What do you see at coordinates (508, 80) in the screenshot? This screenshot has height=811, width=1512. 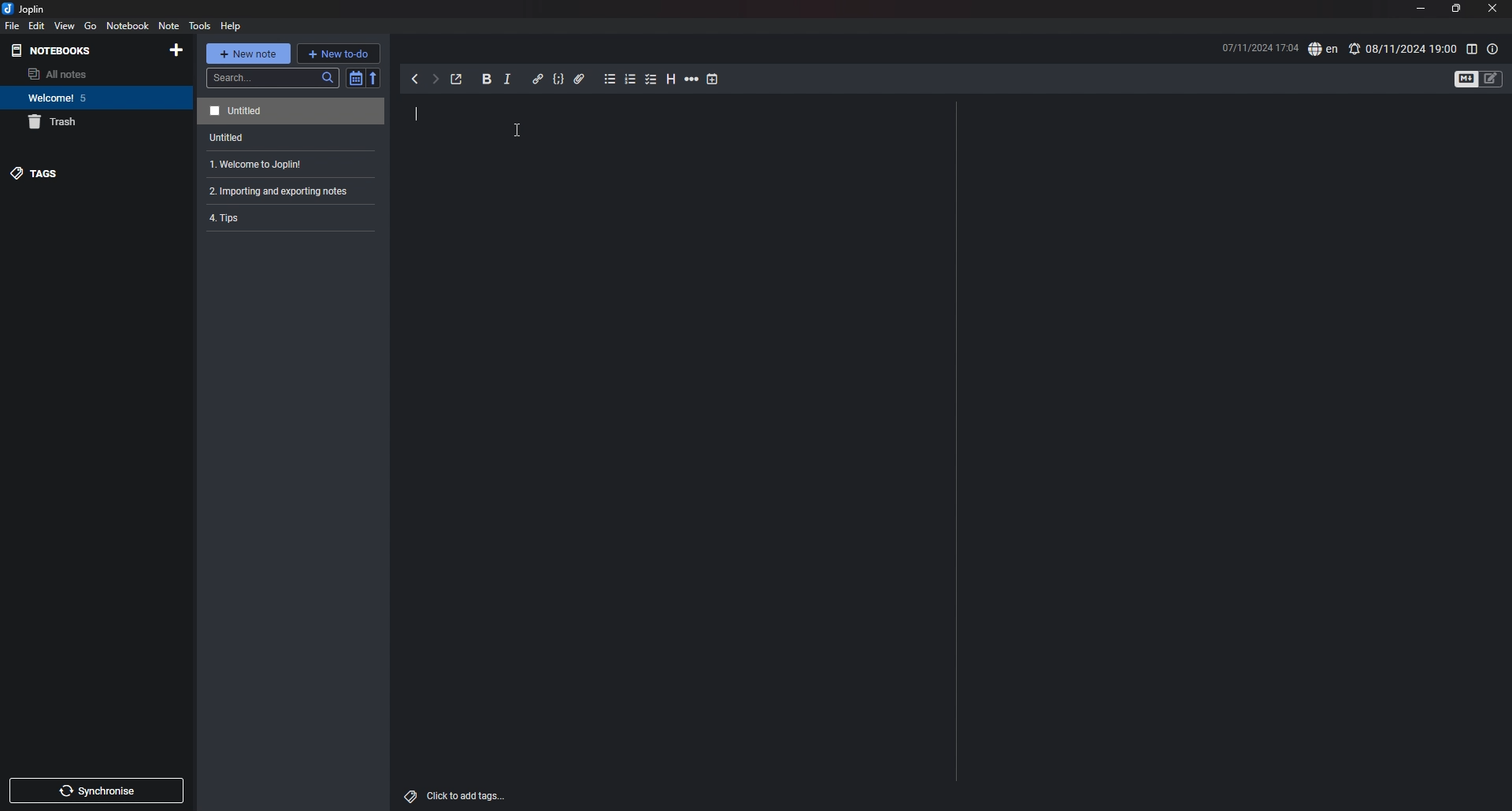 I see `italic` at bounding box center [508, 80].